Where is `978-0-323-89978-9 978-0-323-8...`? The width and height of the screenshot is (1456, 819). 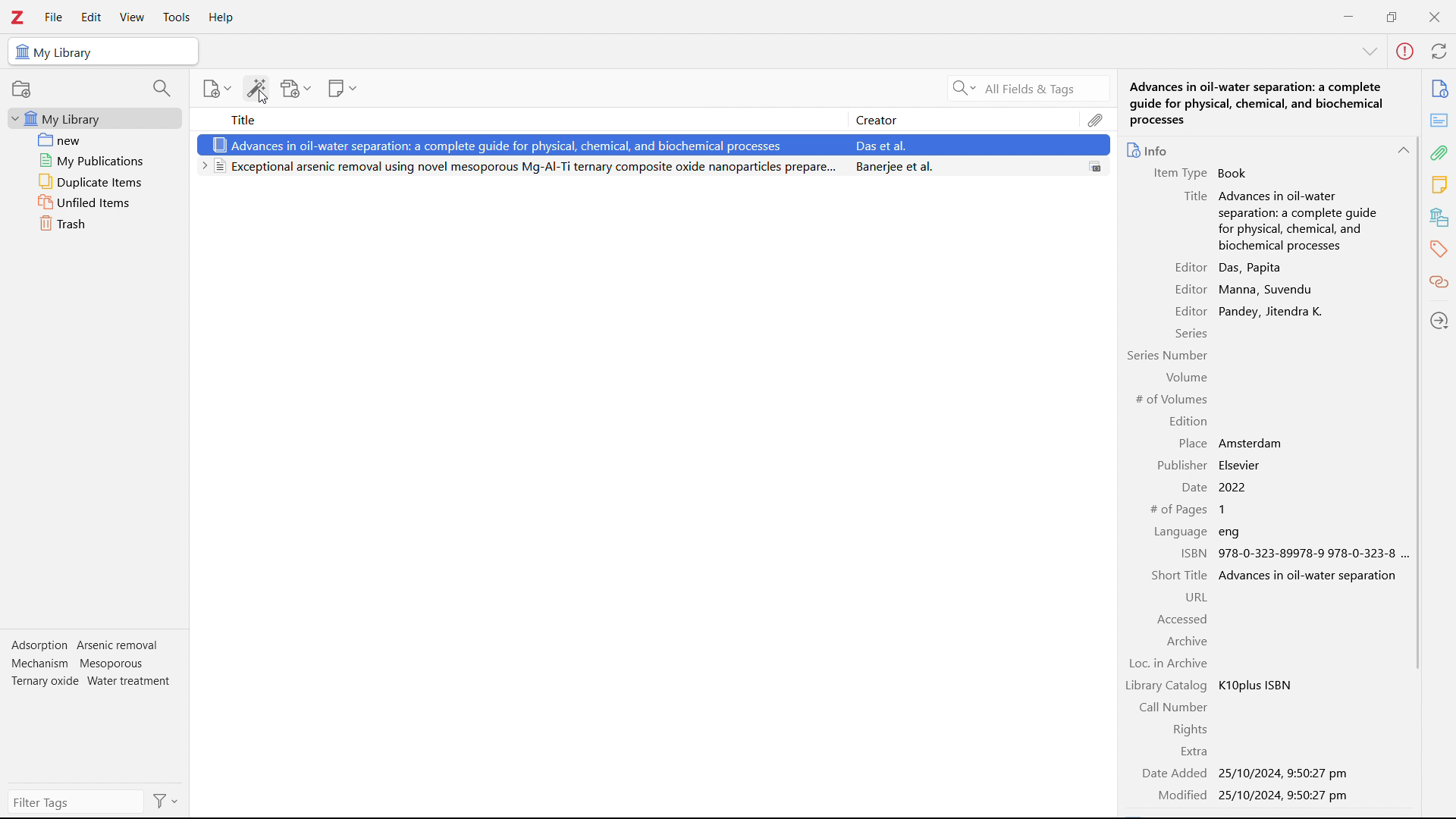 978-0-323-89978-9 978-0-323-8... is located at coordinates (1313, 554).